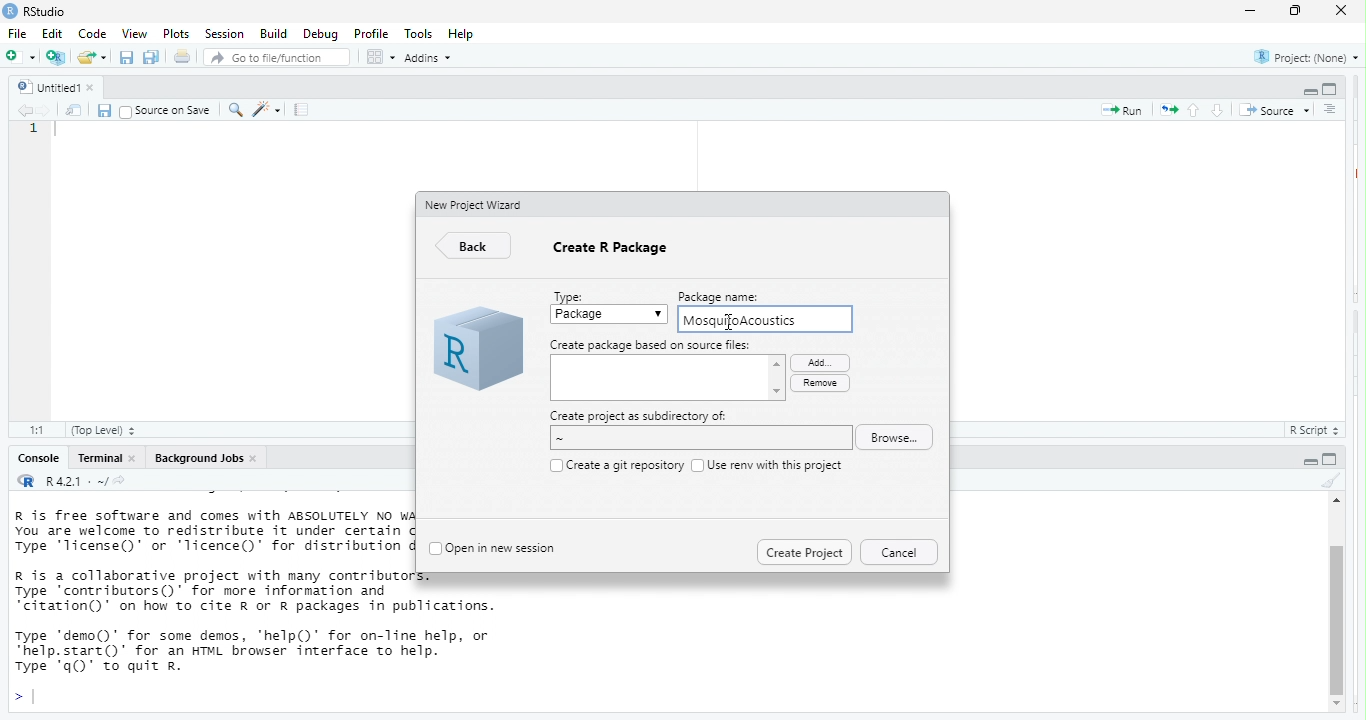 The width and height of the screenshot is (1366, 720). Describe the element at coordinates (273, 33) in the screenshot. I see `Build` at that location.